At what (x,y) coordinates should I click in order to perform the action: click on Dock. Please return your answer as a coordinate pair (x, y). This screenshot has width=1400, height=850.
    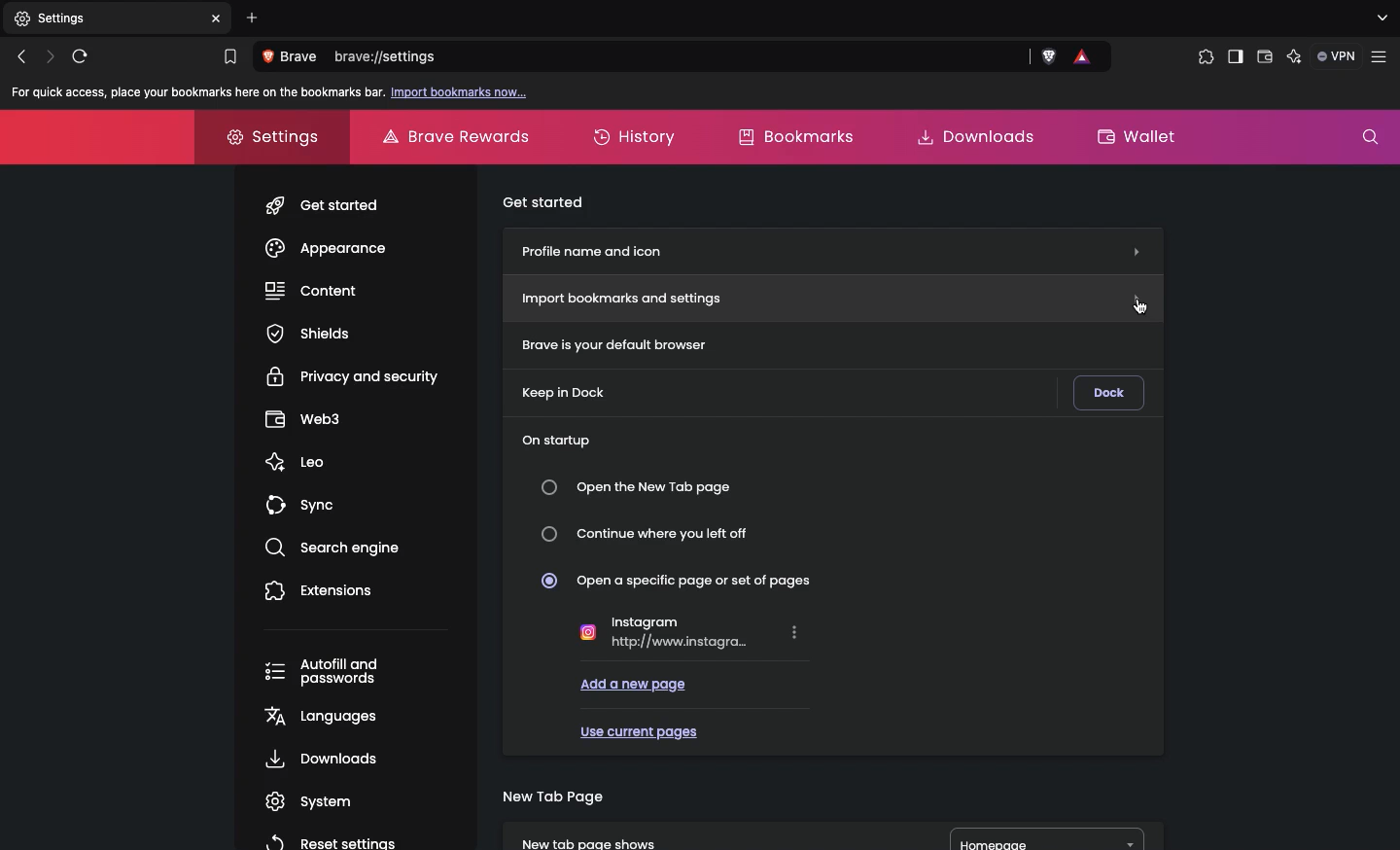
    Looking at the image, I should click on (1108, 393).